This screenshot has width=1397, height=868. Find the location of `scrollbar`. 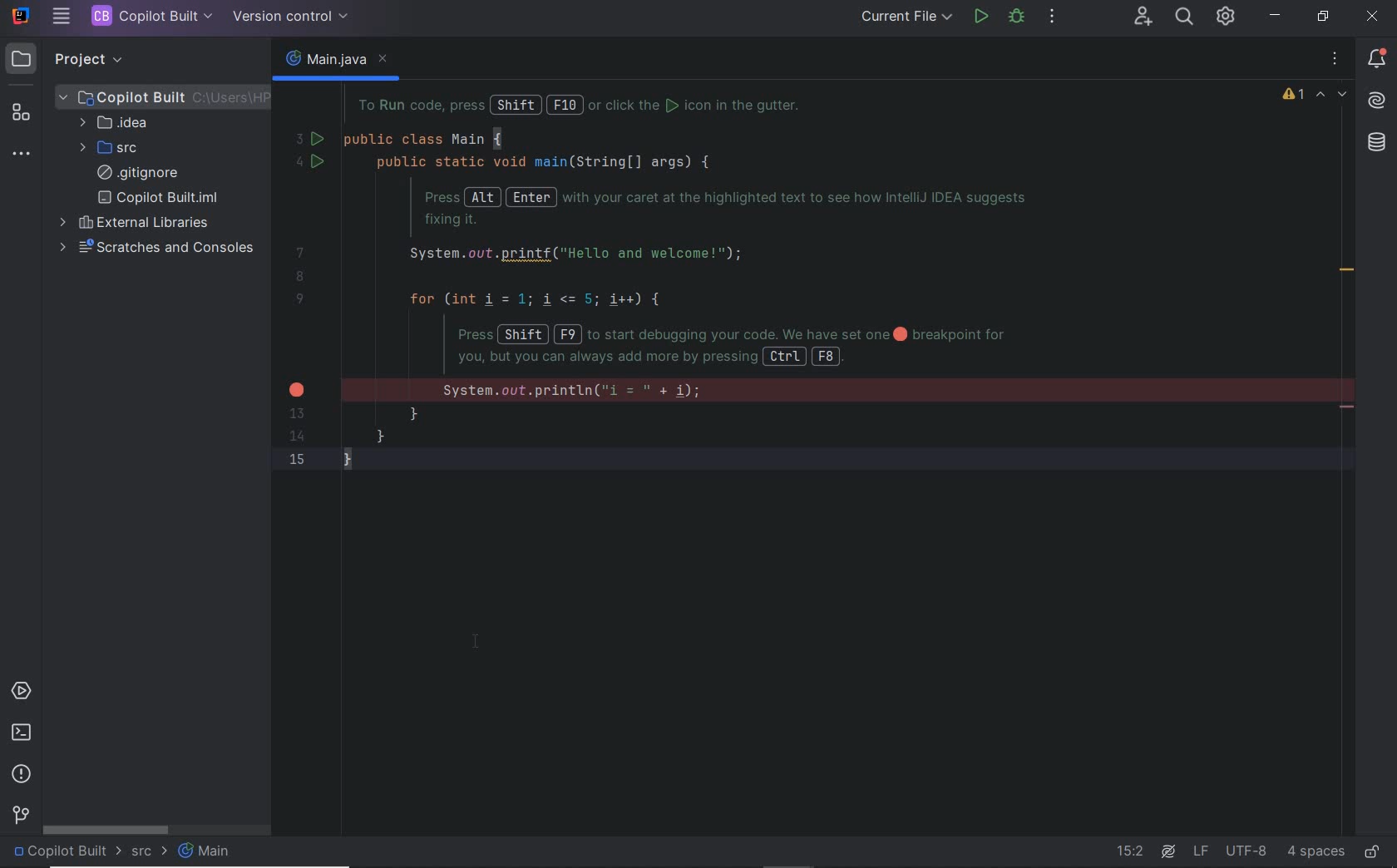

scrollbar is located at coordinates (105, 828).